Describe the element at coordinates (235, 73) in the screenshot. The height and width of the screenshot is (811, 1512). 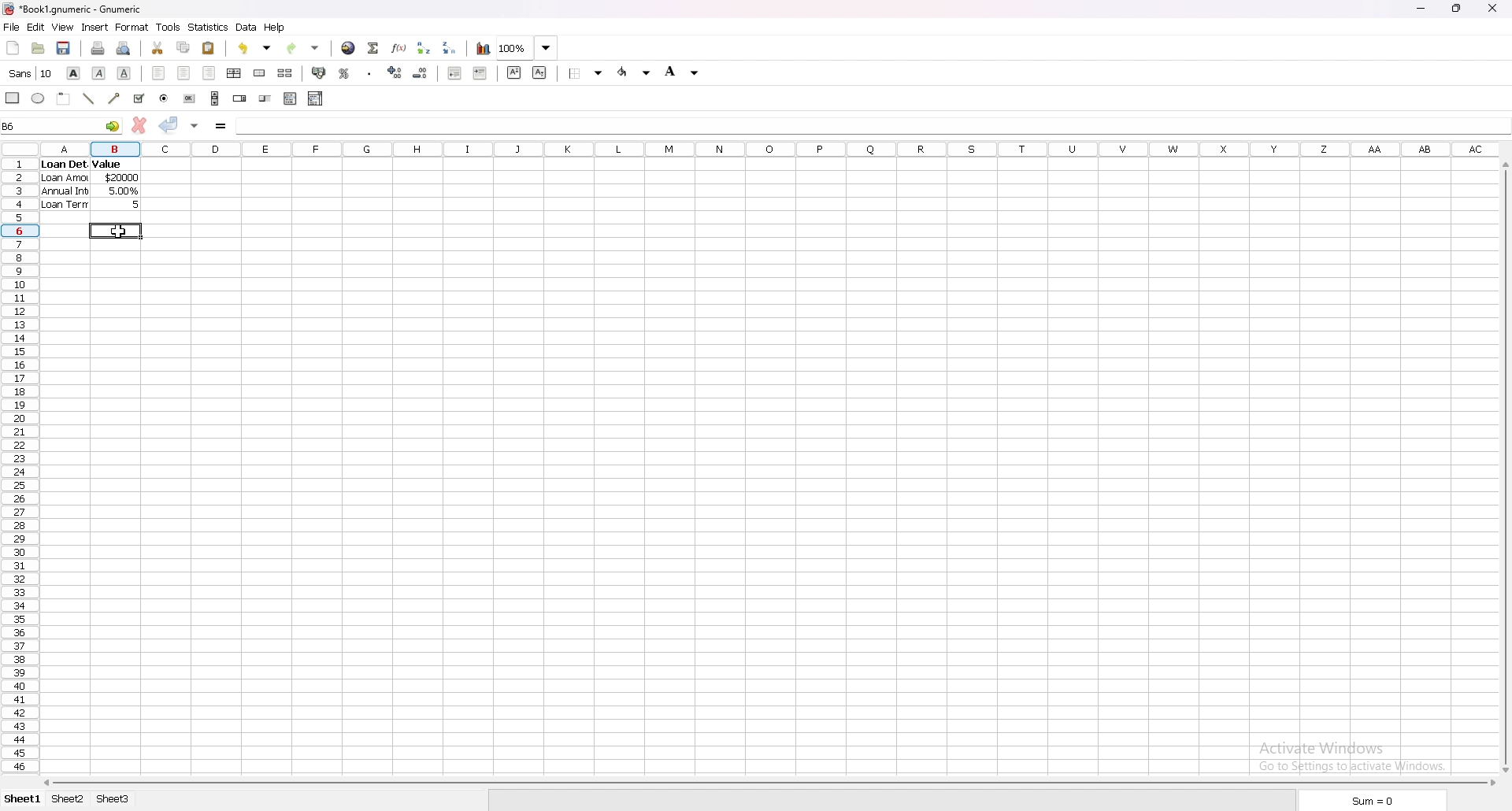
I see `centre horizontally` at that location.